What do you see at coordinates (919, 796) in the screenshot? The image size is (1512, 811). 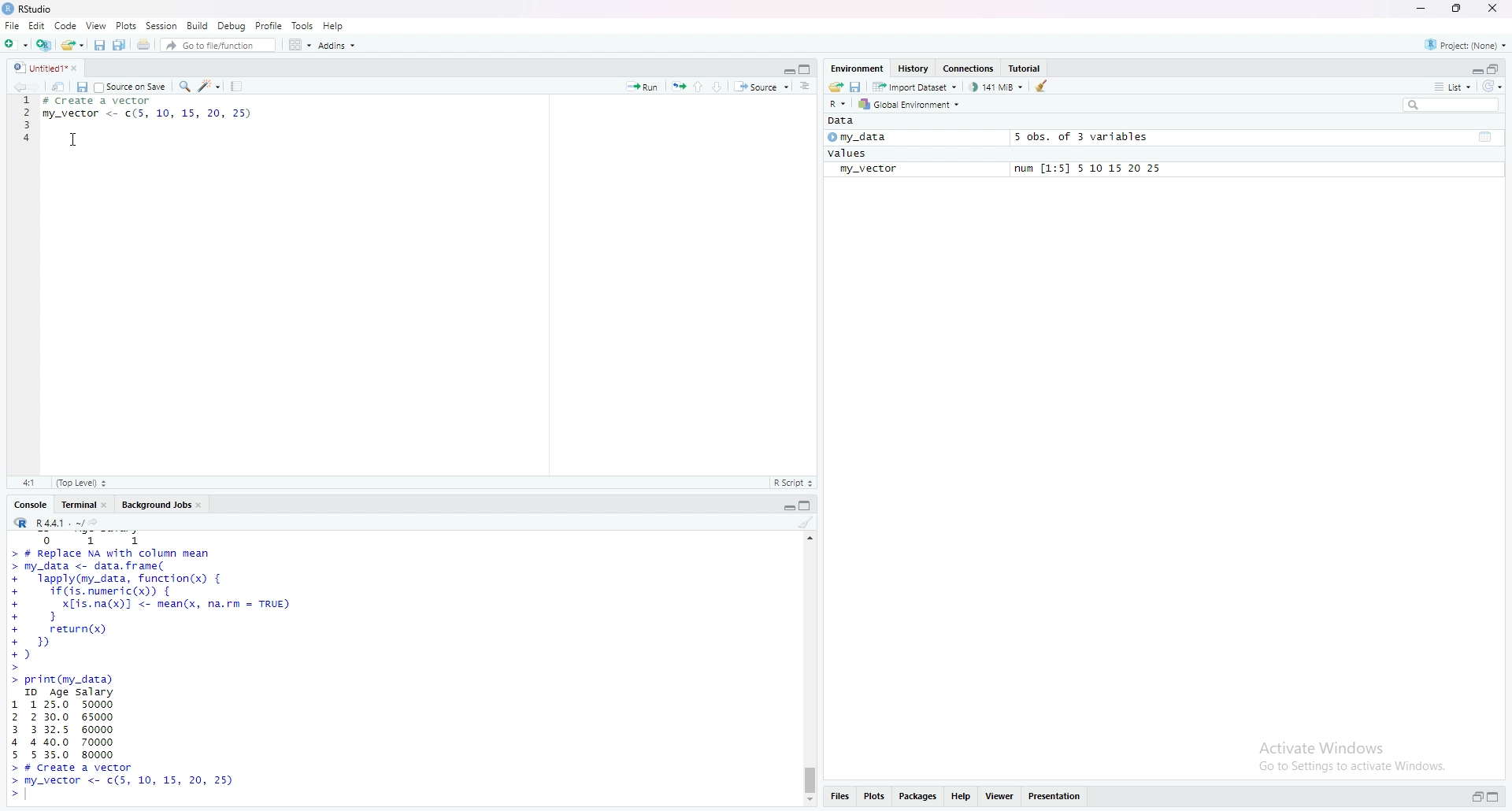 I see `packages` at bounding box center [919, 796].